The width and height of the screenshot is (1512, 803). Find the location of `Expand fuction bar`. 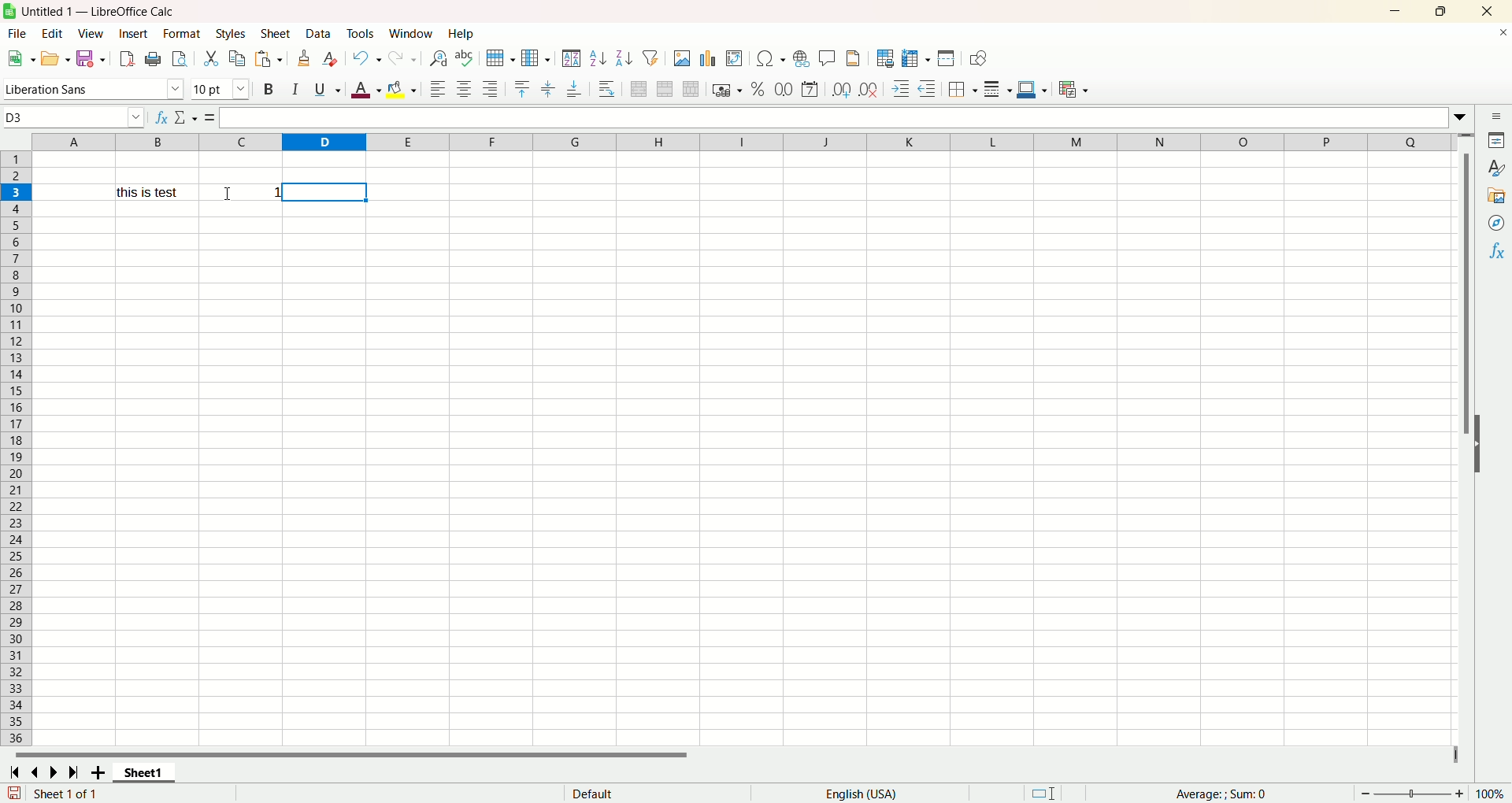

Expand fuction bar is located at coordinates (1462, 120).